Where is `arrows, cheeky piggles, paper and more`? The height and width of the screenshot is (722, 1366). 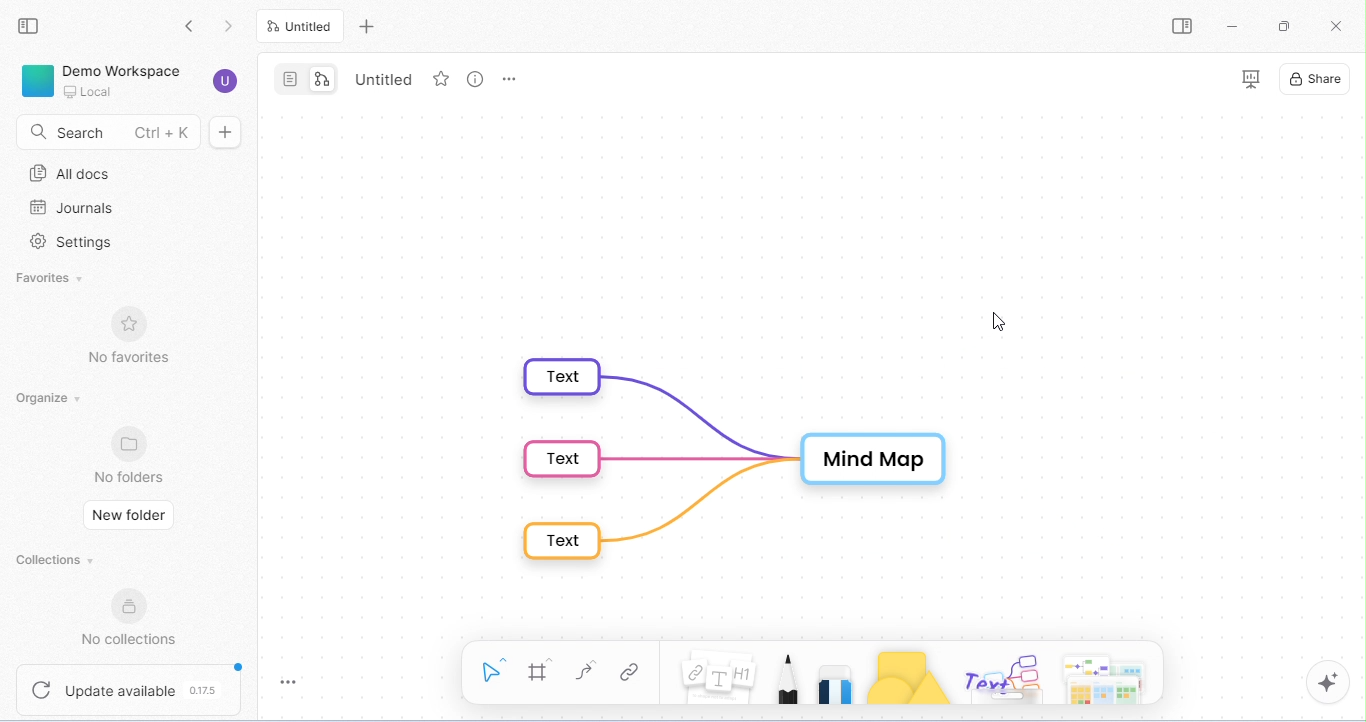 arrows, cheeky piggles, paper and more is located at coordinates (1101, 677).